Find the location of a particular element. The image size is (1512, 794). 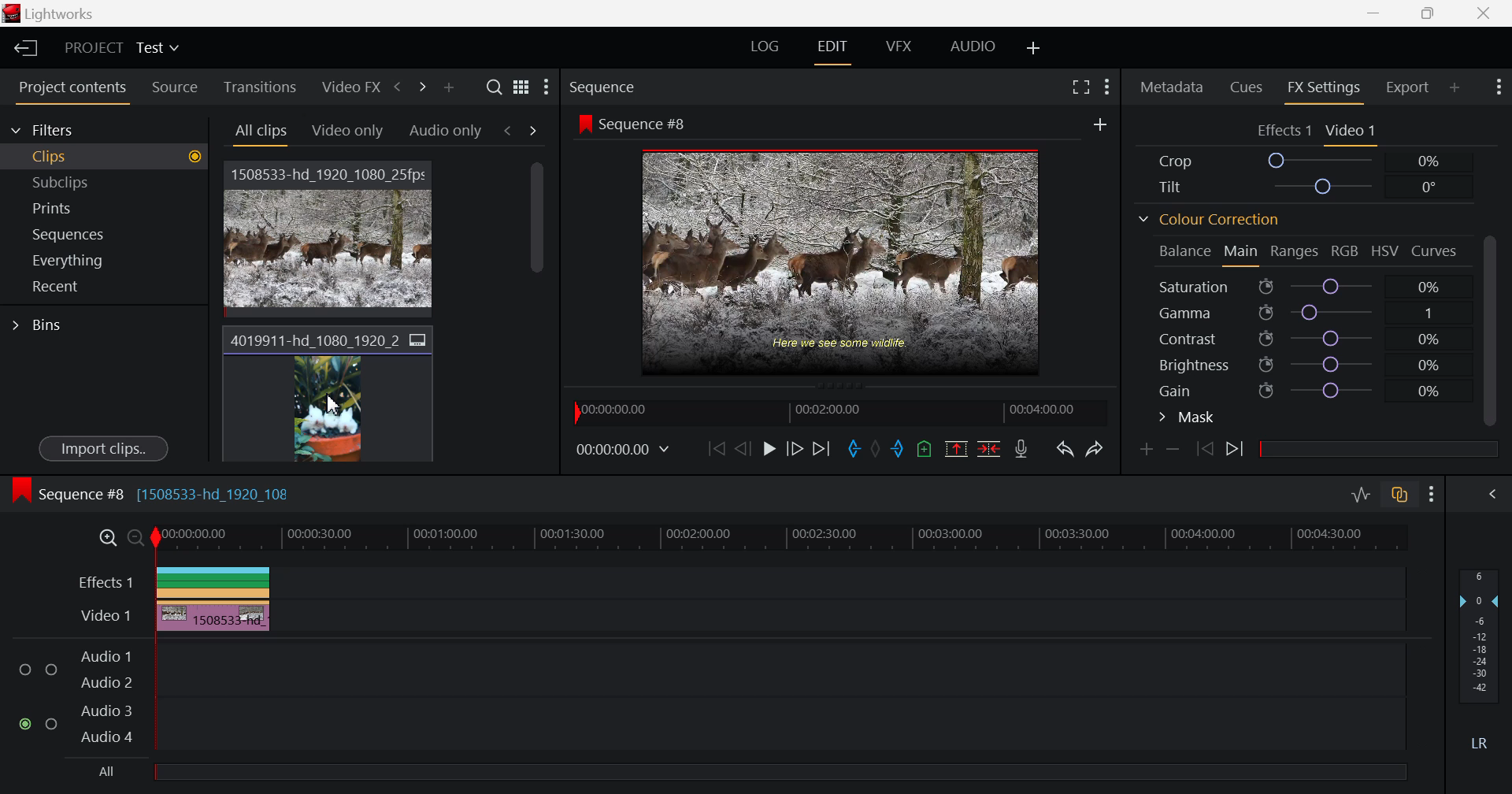

Back to Homepage is located at coordinates (23, 46).